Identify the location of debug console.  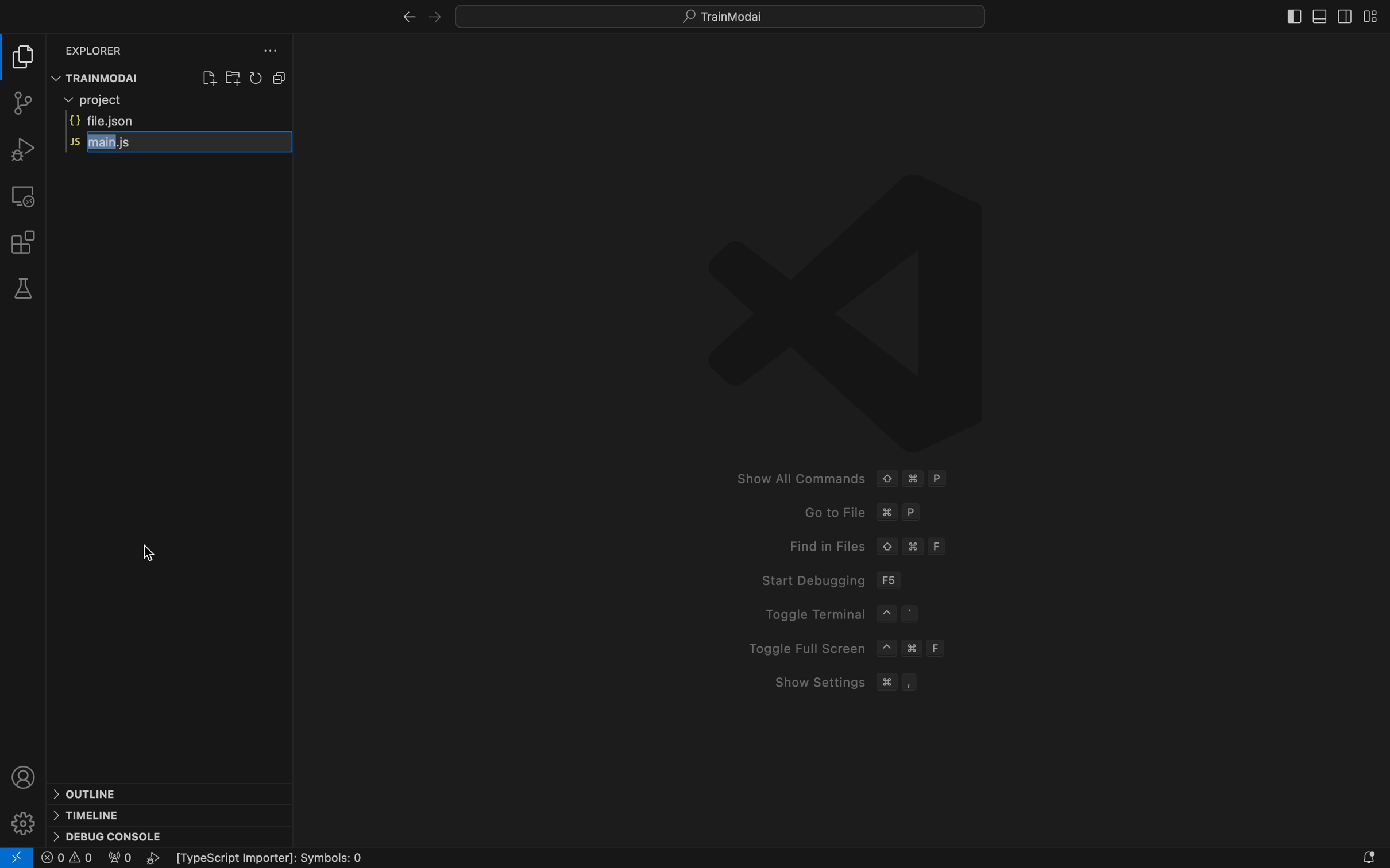
(113, 836).